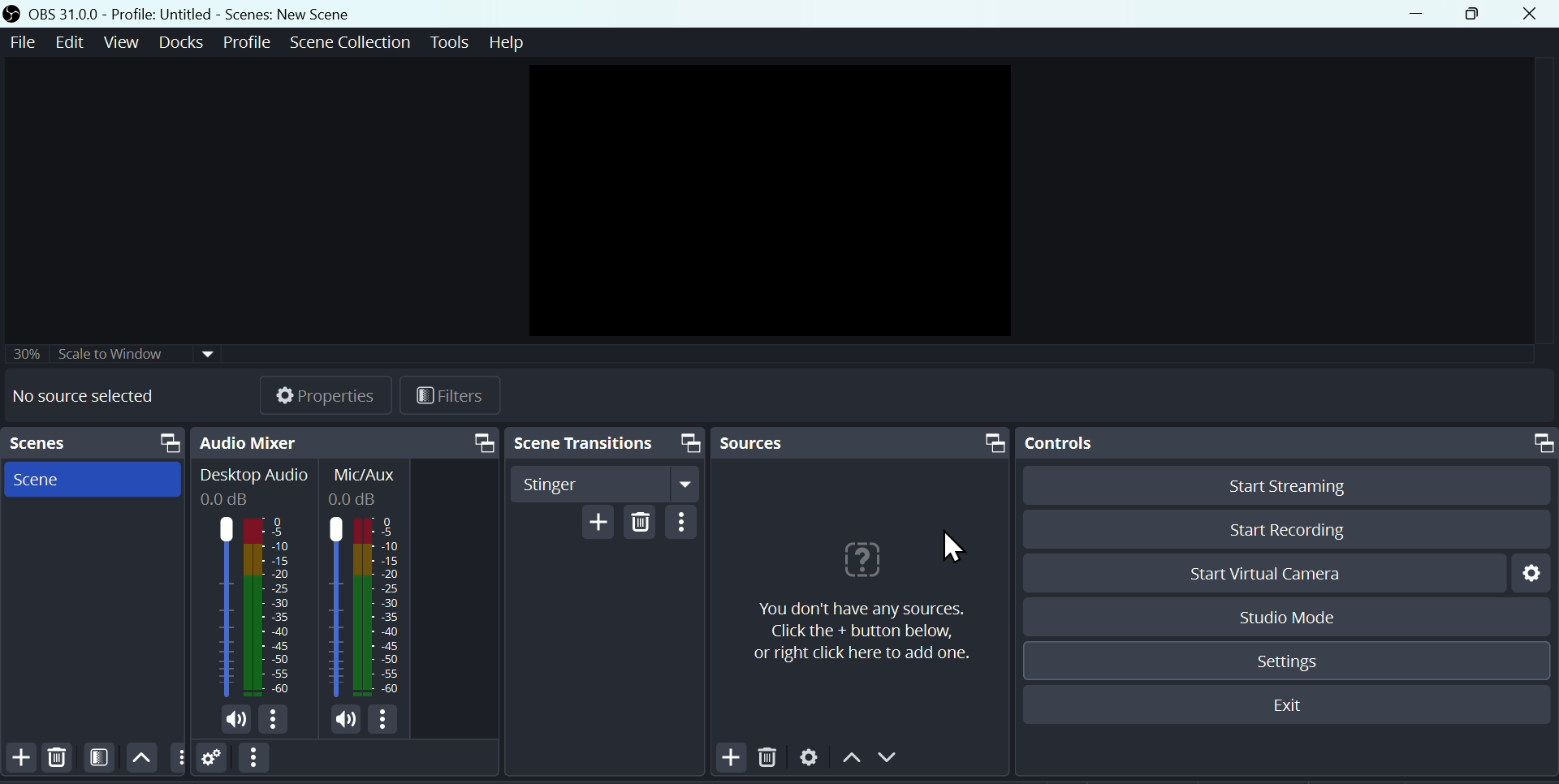 The image size is (1559, 784). What do you see at coordinates (270, 441) in the screenshot?
I see `Audio Mixer` at bounding box center [270, 441].